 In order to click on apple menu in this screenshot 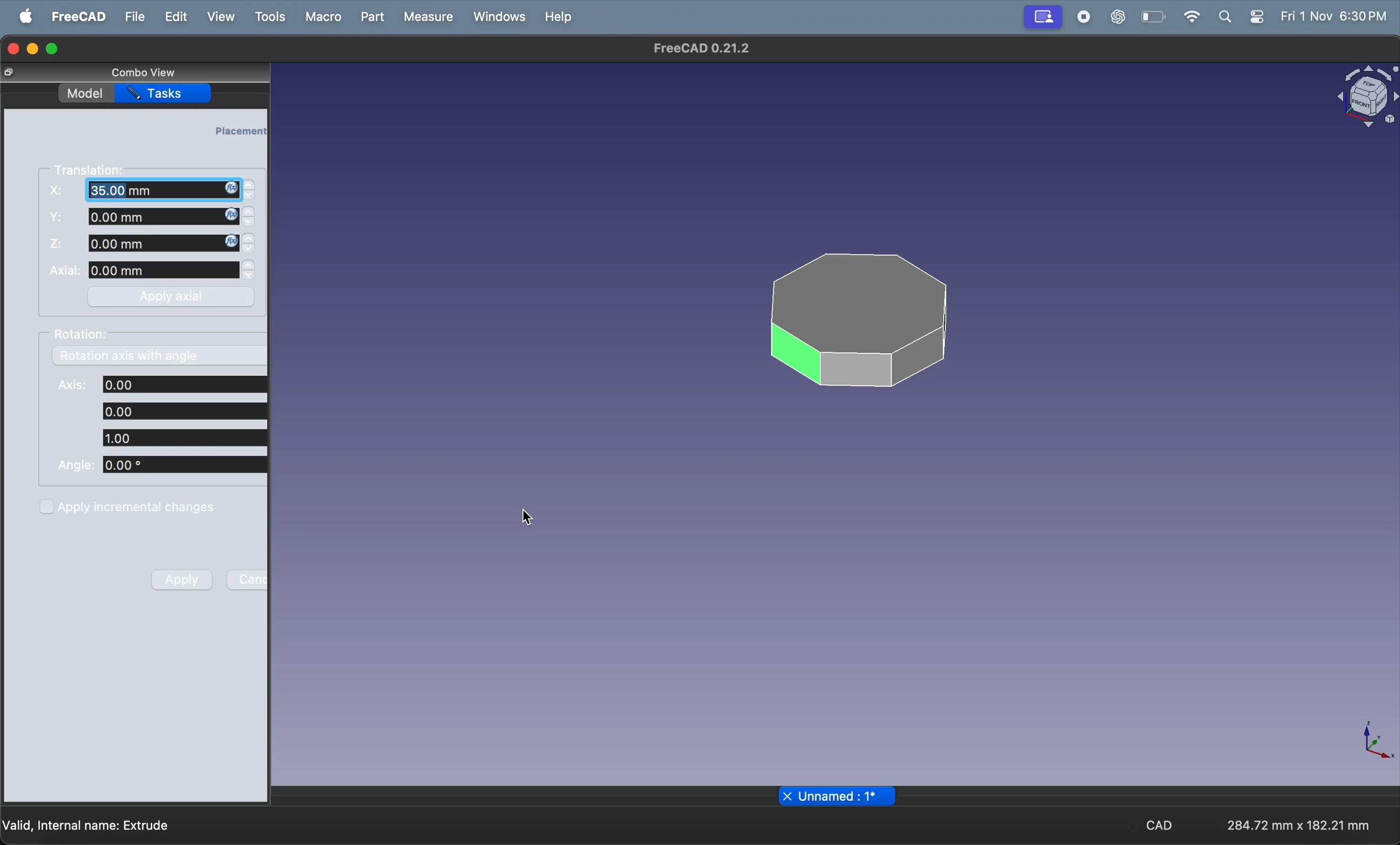, I will do `click(23, 17)`.